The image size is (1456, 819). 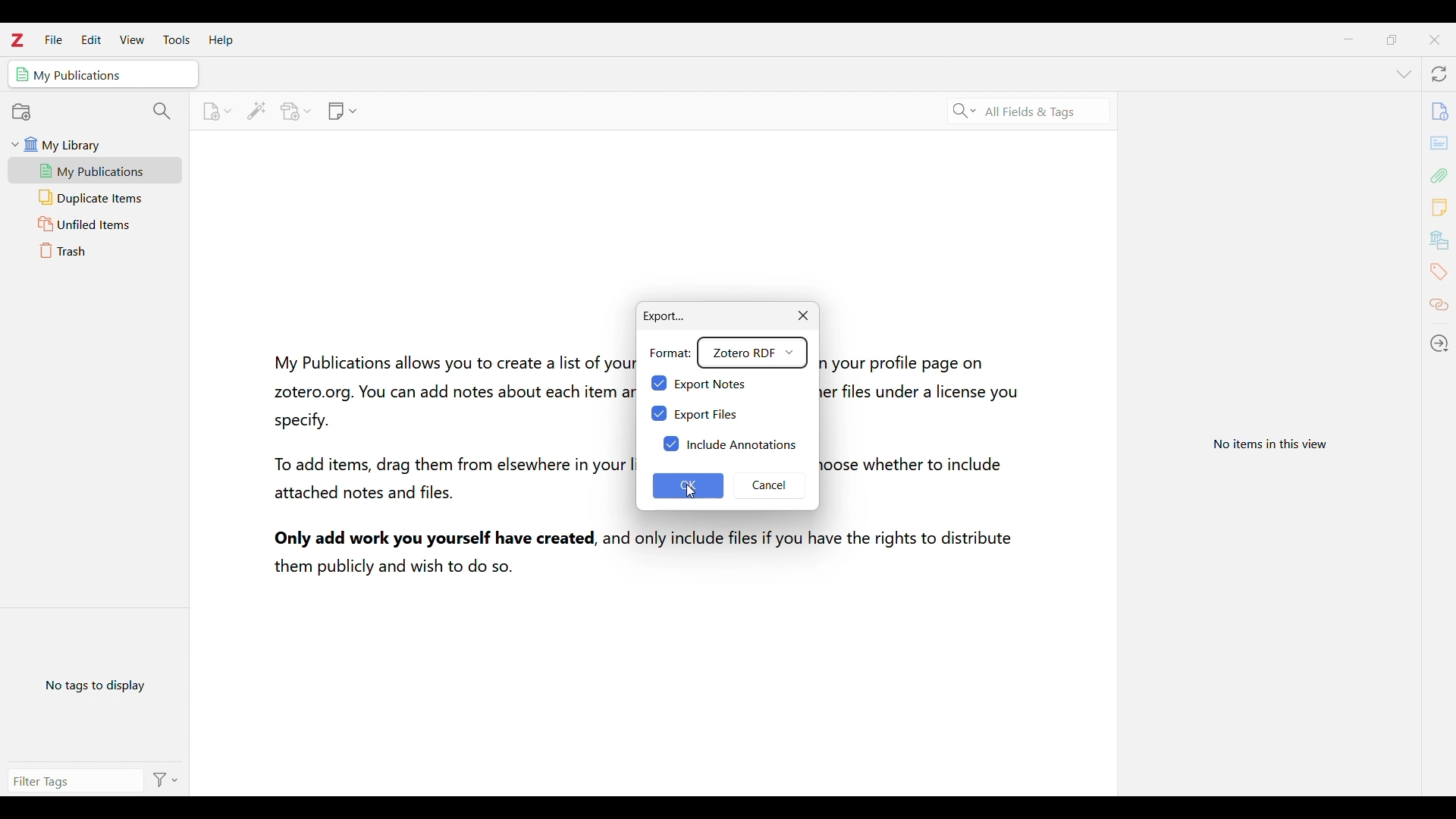 I want to click on Info, so click(x=1440, y=110).